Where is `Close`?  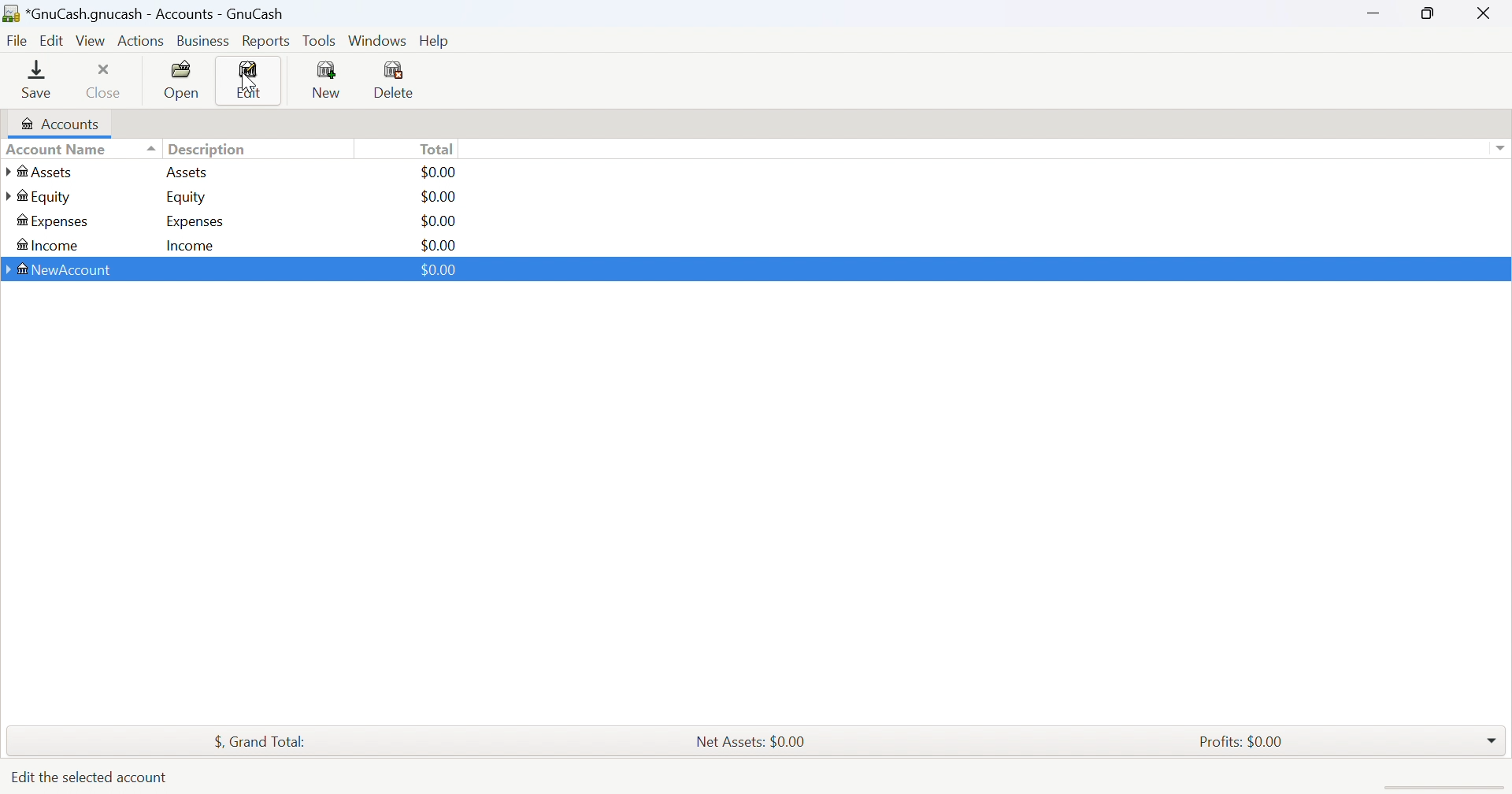
Close is located at coordinates (105, 80).